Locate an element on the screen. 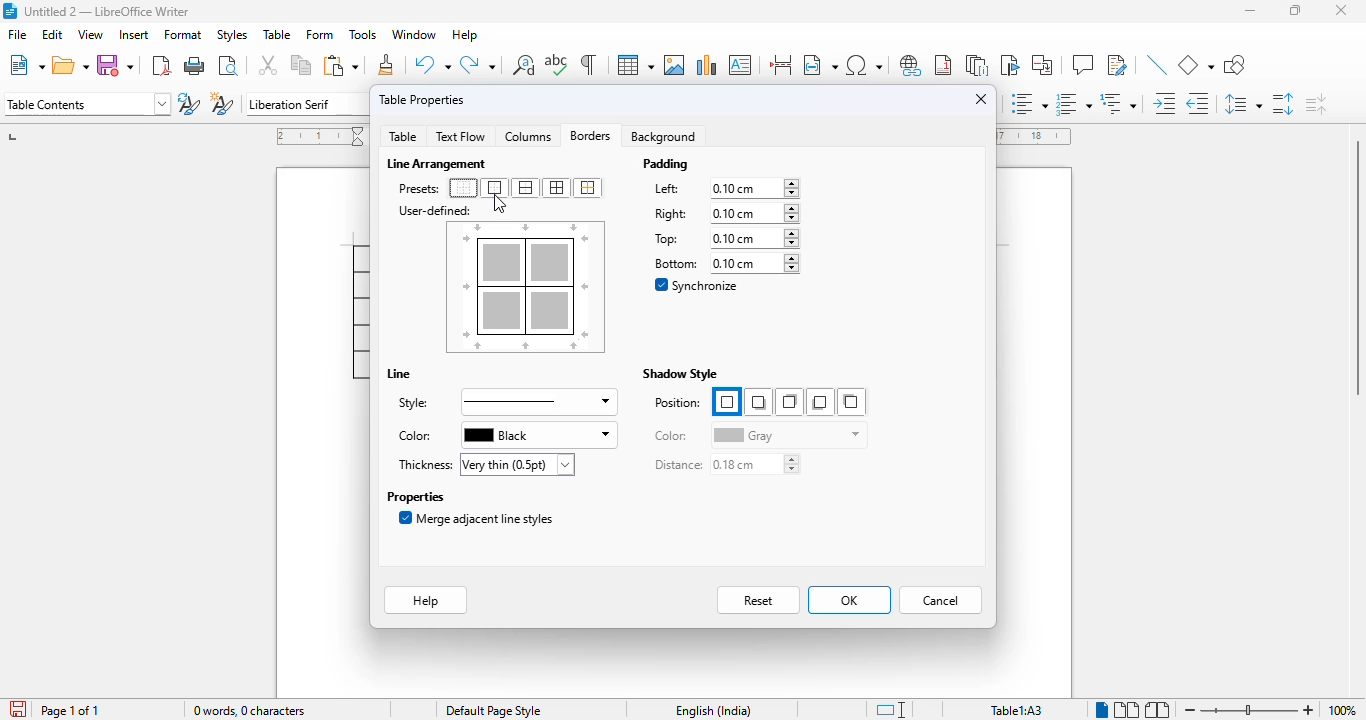  insert image is located at coordinates (674, 64).